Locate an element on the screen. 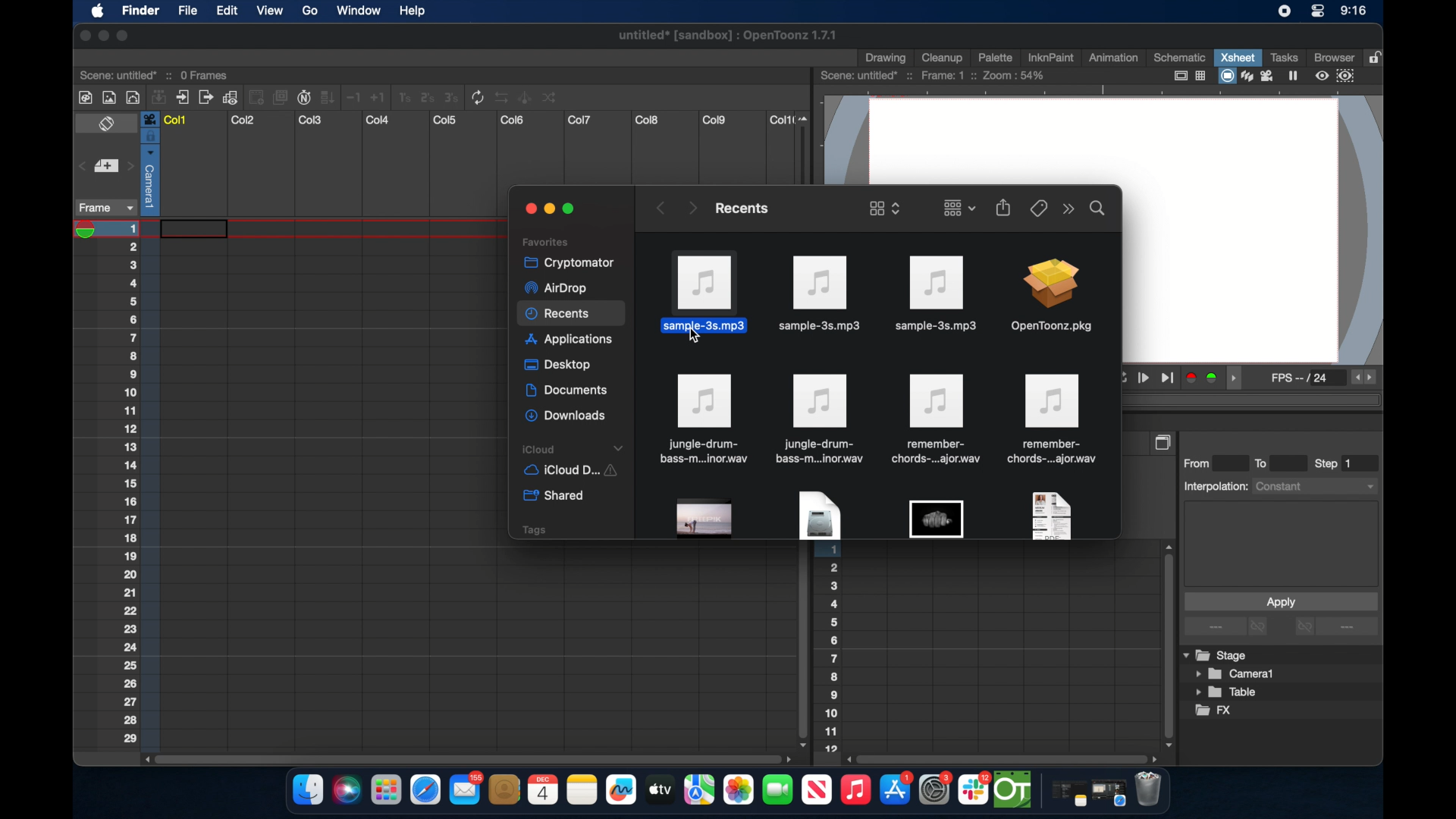 This screenshot has width=1456, height=819. from is located at coordinates (1200, 463).